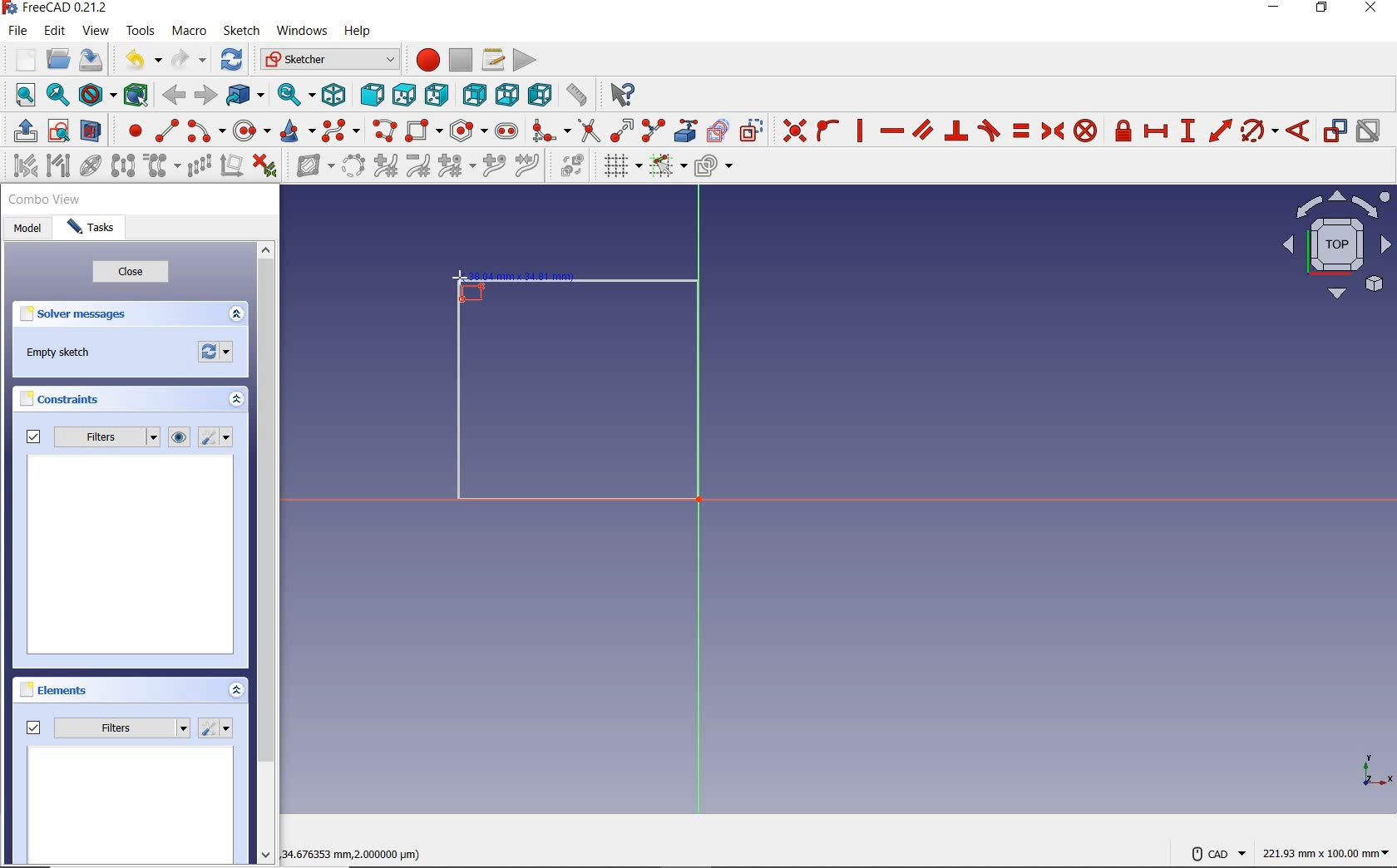 The width and height of the screenshot is (1397, 868). I want to click on create carbon copy, so click(718, 131).